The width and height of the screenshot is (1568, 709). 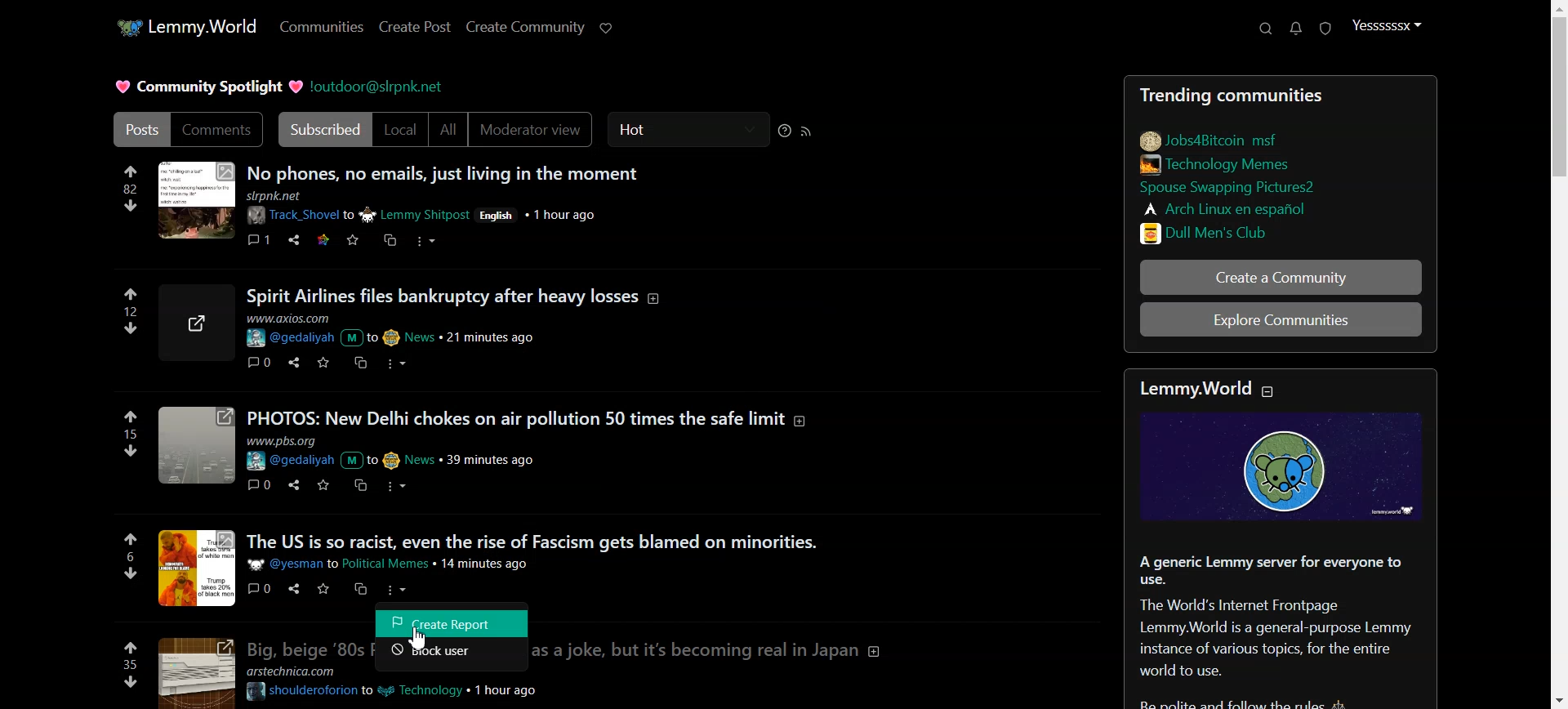 What do you see at coordinates (1324, 28) in the screenshot?
I see `Unread report` at bounding box center [1324, 28].